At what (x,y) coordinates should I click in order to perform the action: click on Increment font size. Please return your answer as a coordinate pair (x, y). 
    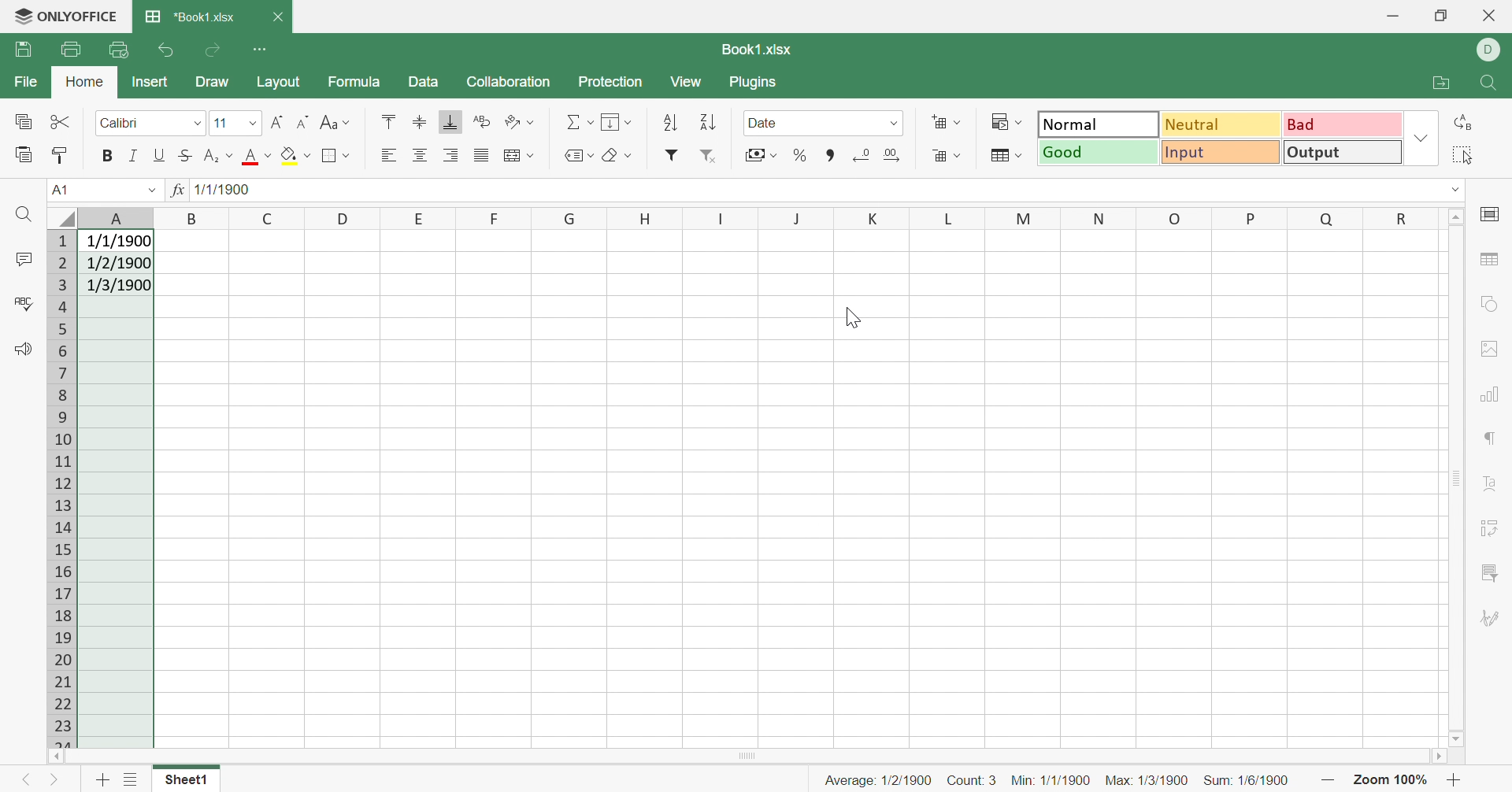
    Looking at the image, I should click on (277, 122).